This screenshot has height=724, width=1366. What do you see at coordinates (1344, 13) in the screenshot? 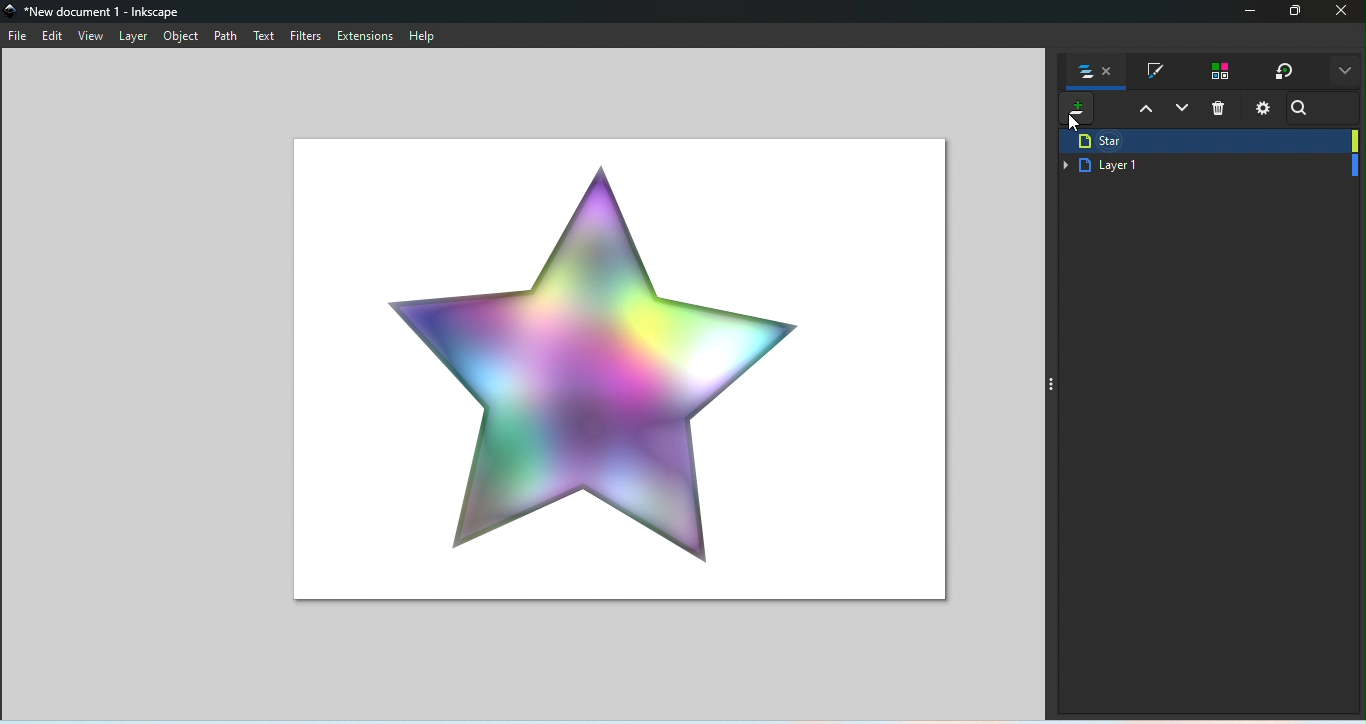
I see `Close` at bounding box center [1344, 13].